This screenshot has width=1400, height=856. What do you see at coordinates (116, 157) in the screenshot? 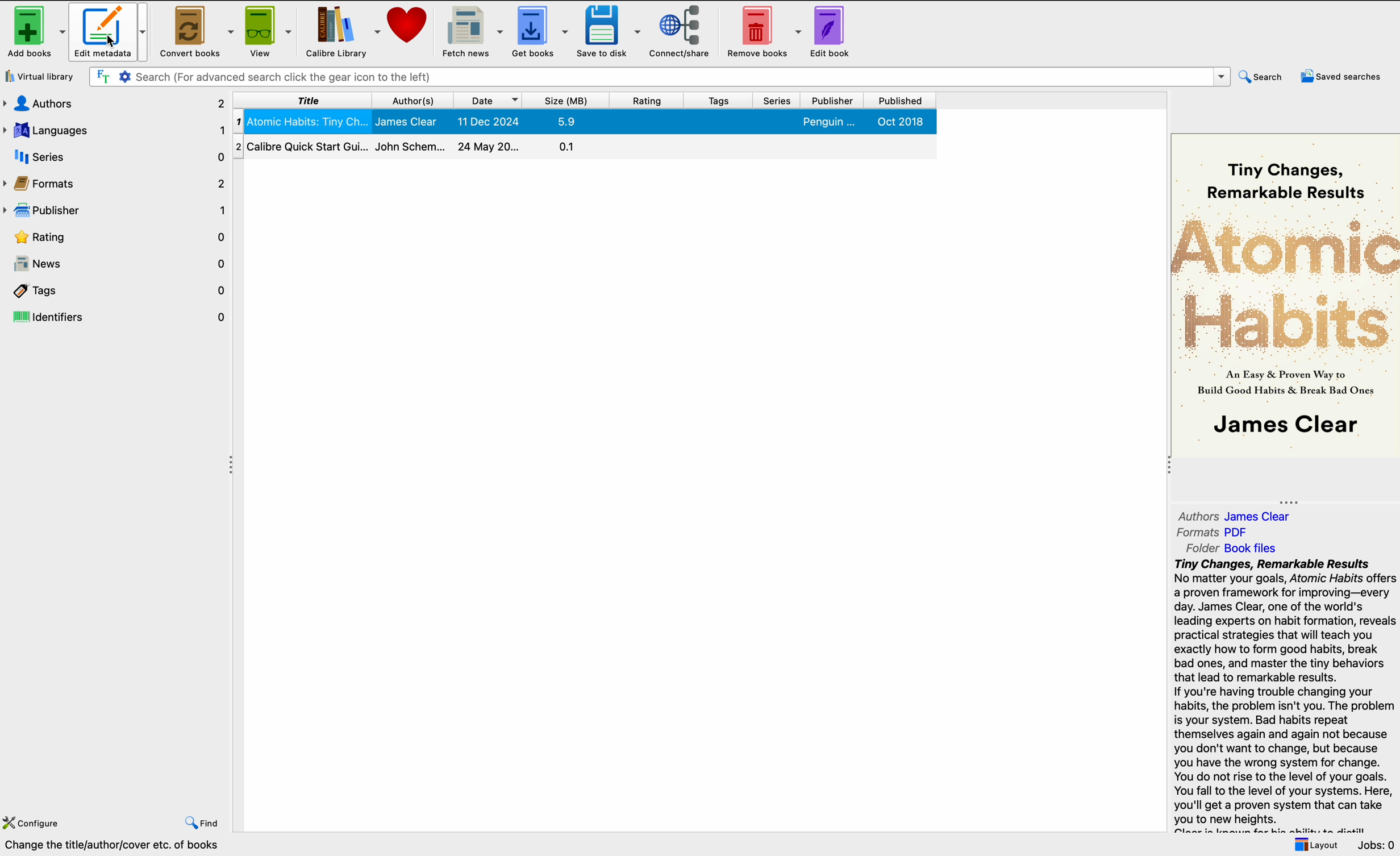
I see `series` at bounding box center [116, 157].